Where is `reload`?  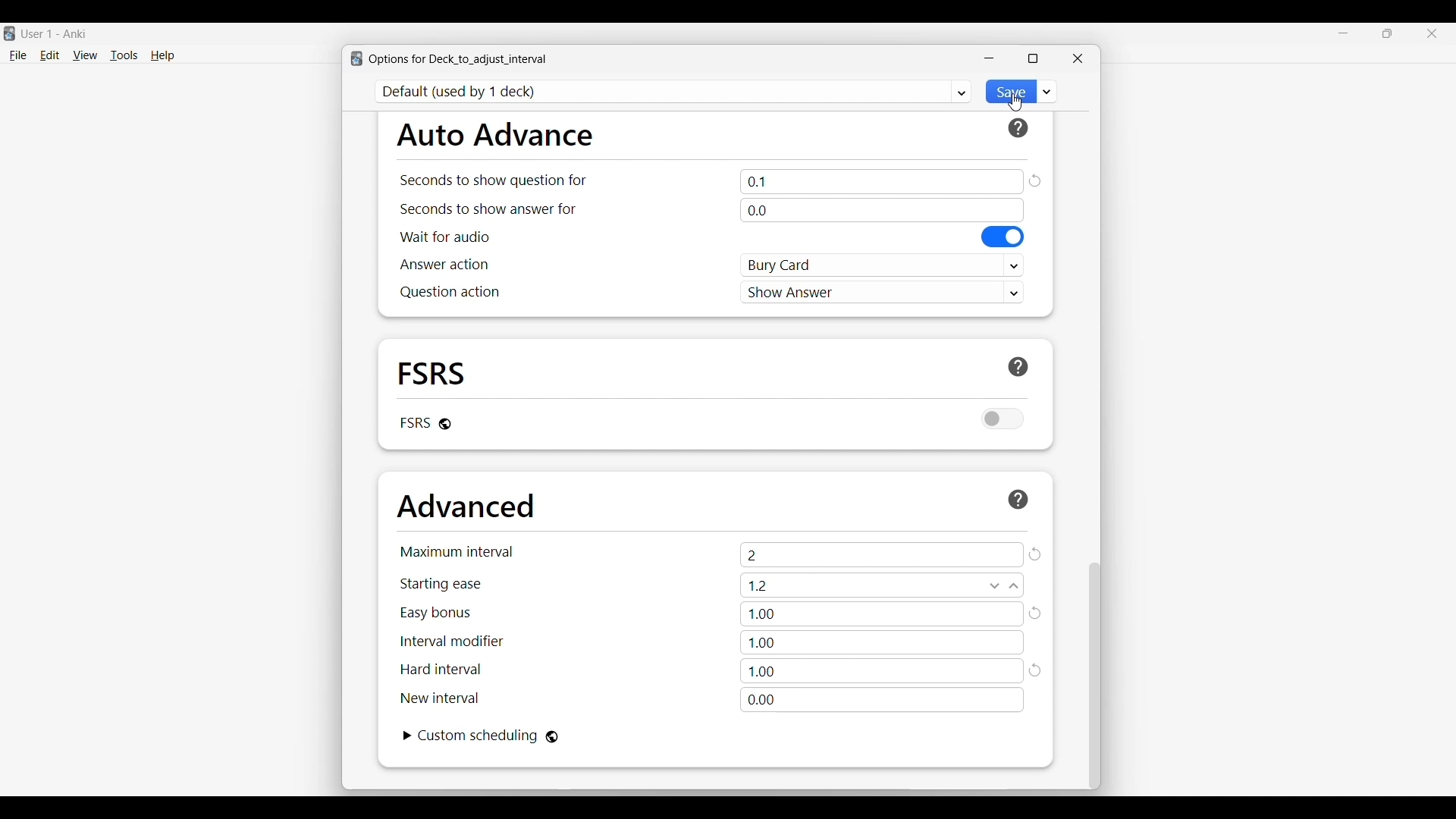 reload is located at coordinates (1034, 180).